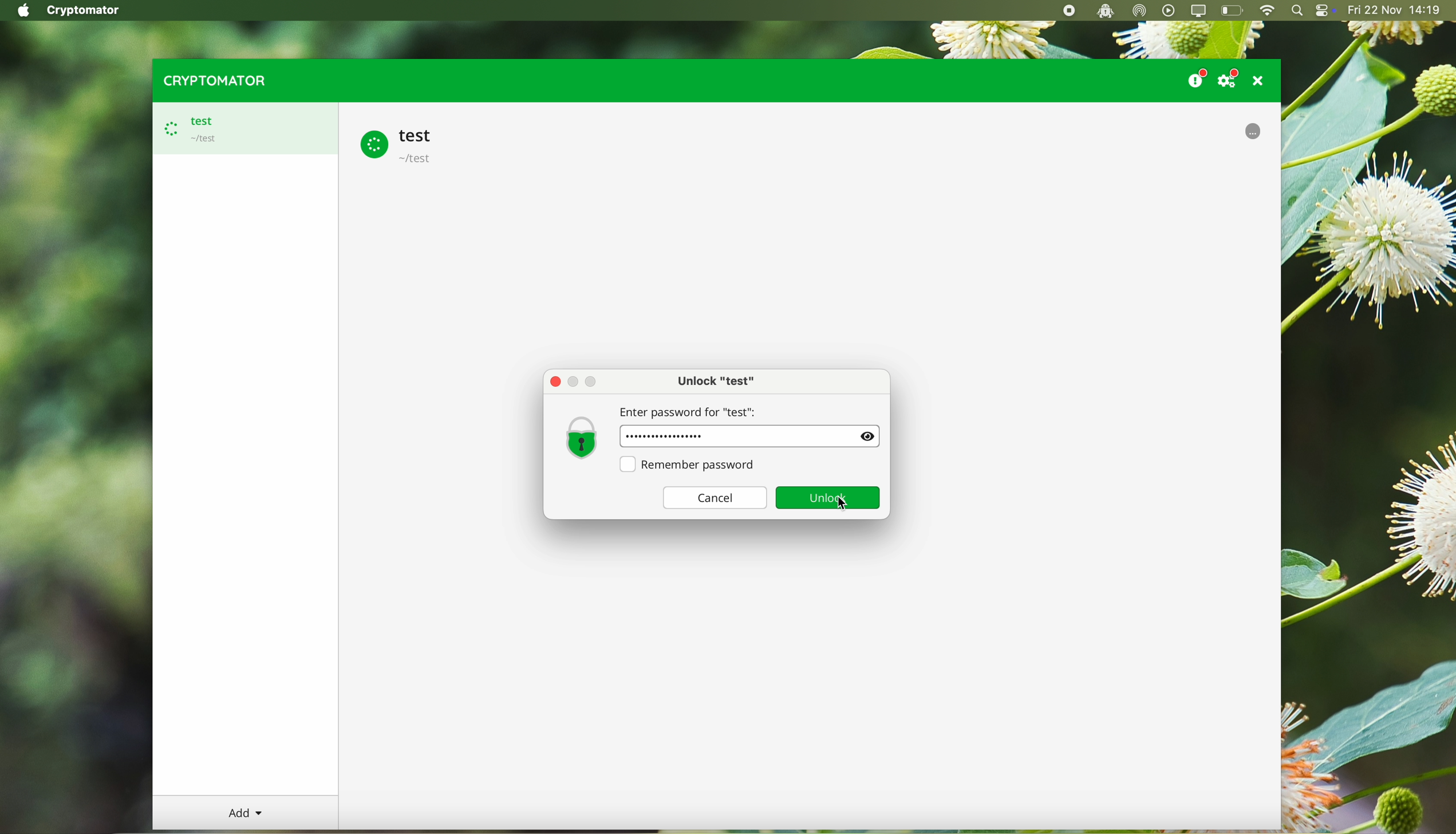 Image resolution: width=1456 pixels, height=834 pixels. I want to click on settings, so click(1231, 78).